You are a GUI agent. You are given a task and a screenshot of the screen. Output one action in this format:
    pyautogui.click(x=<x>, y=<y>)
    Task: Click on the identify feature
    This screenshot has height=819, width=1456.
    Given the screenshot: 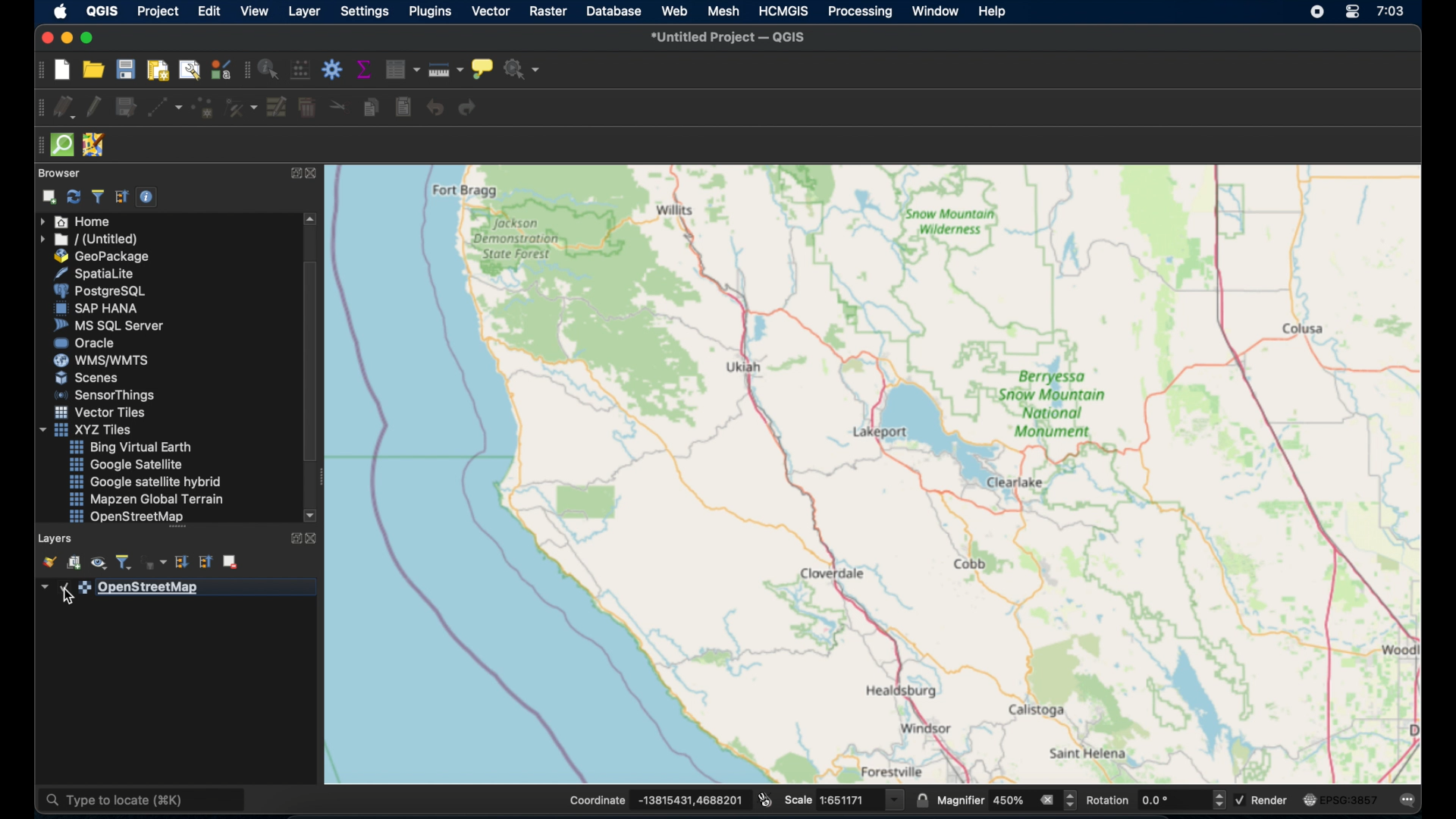 What is the action you would take?
    pyautogui.click(x=271, y=69)
    